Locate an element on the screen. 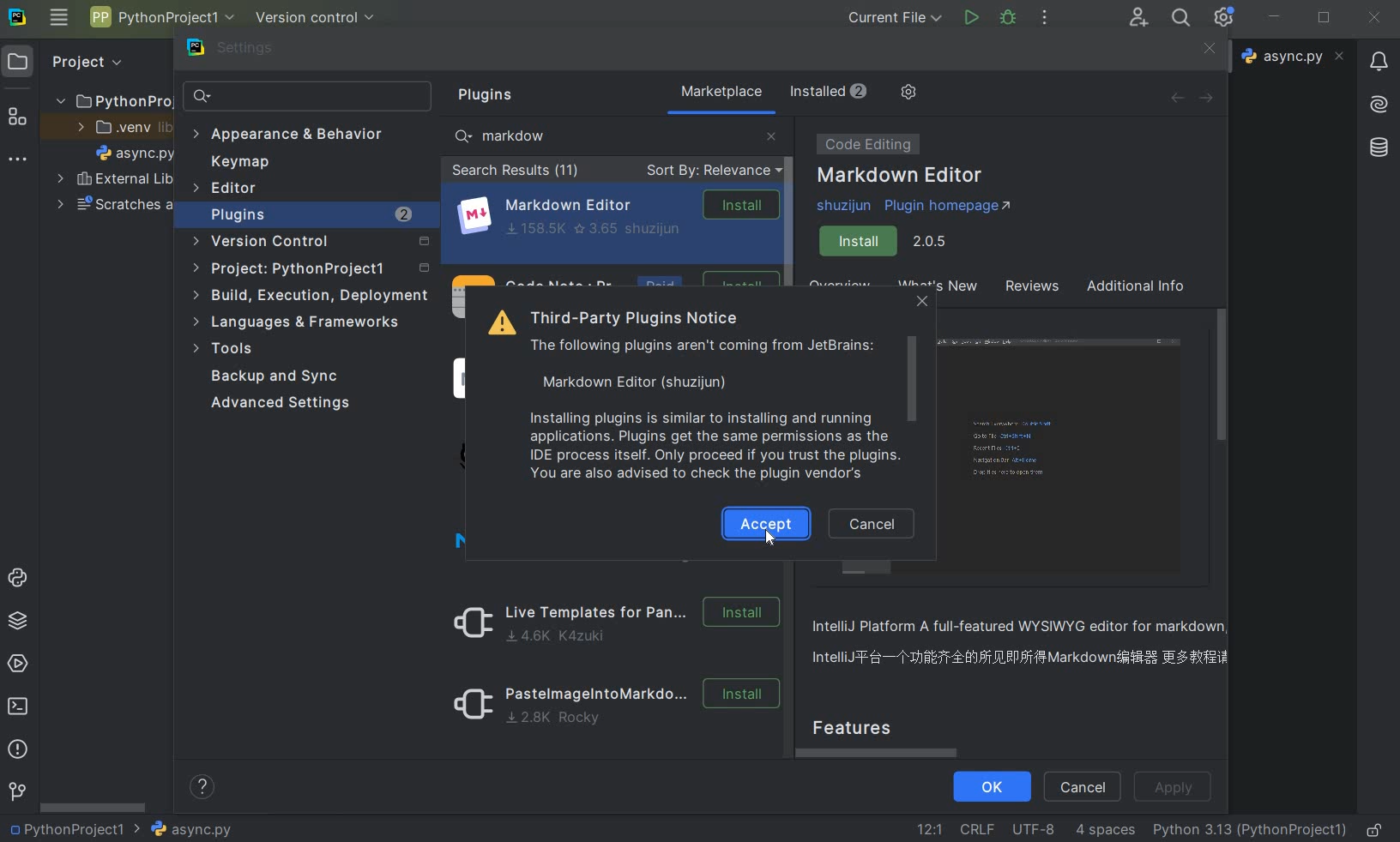 The width and height of the screenshot is (1400, 842). make file ready only is located at coordinates (1378, 830).